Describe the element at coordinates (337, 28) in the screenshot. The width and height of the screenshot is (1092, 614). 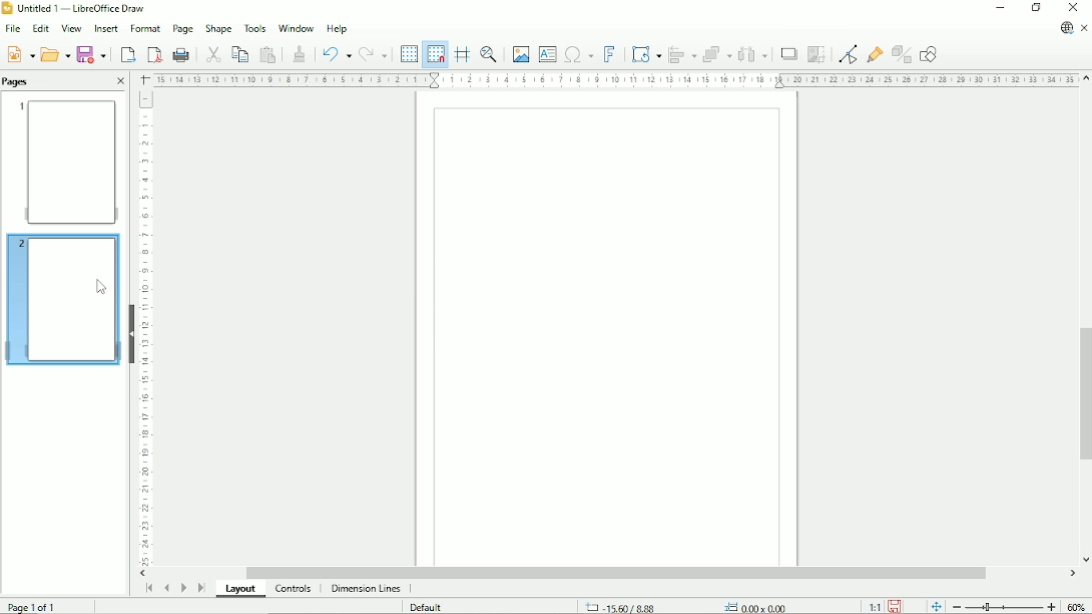
I see `Help` at that location.